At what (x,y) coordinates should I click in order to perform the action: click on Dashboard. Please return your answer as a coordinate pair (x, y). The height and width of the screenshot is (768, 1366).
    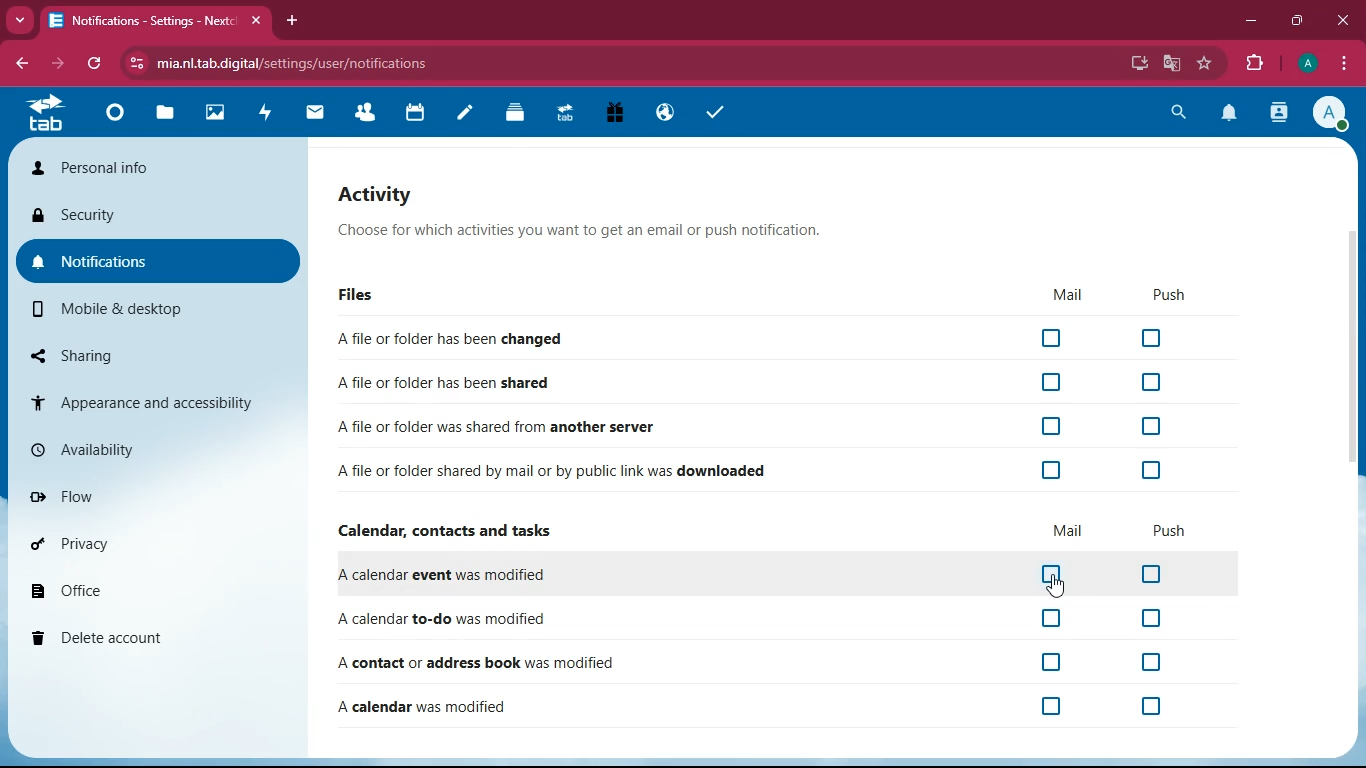
    Looking at the image, I should click on (119, 115).